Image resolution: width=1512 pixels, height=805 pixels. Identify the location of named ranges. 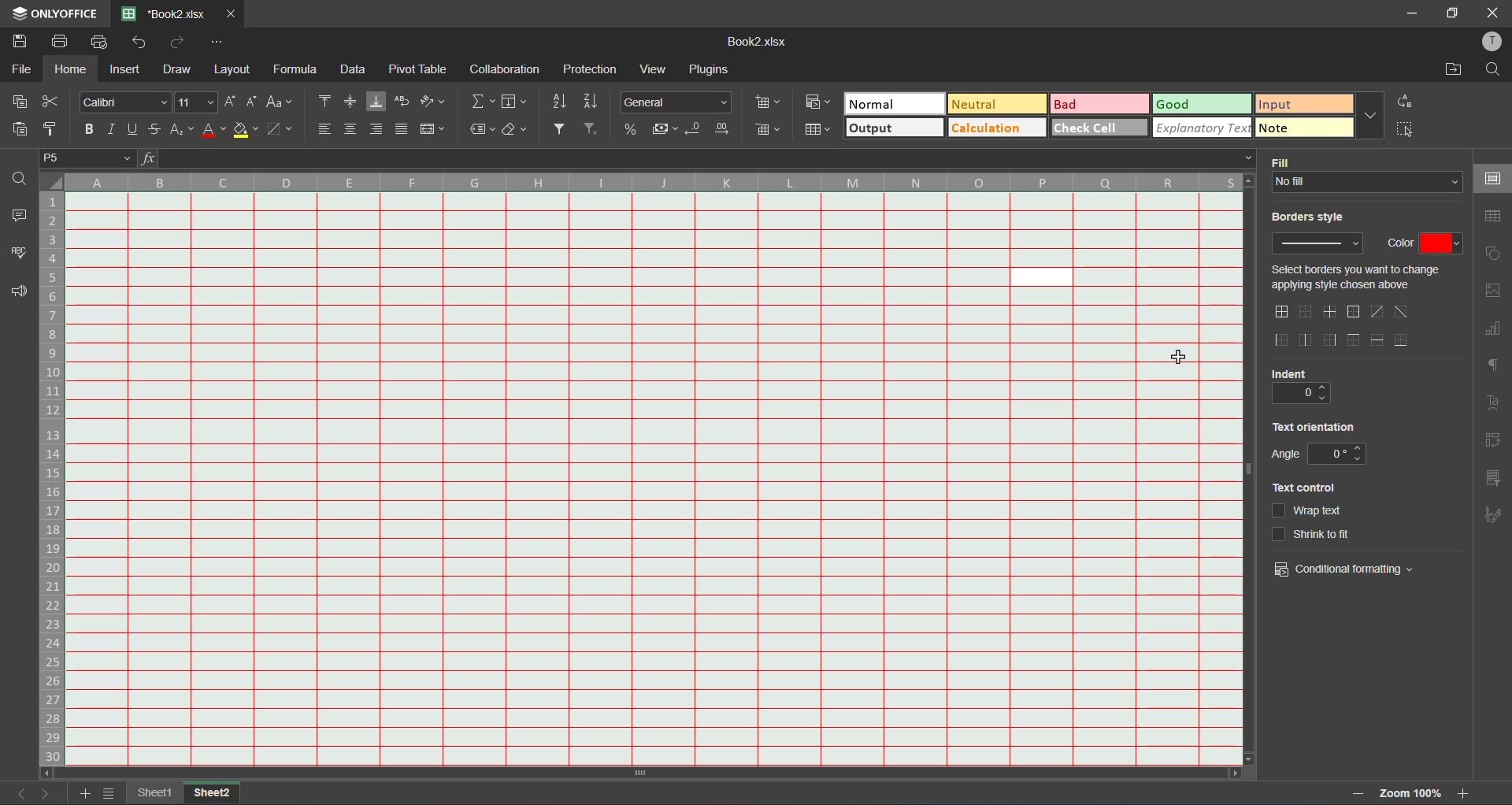
(484, 133).